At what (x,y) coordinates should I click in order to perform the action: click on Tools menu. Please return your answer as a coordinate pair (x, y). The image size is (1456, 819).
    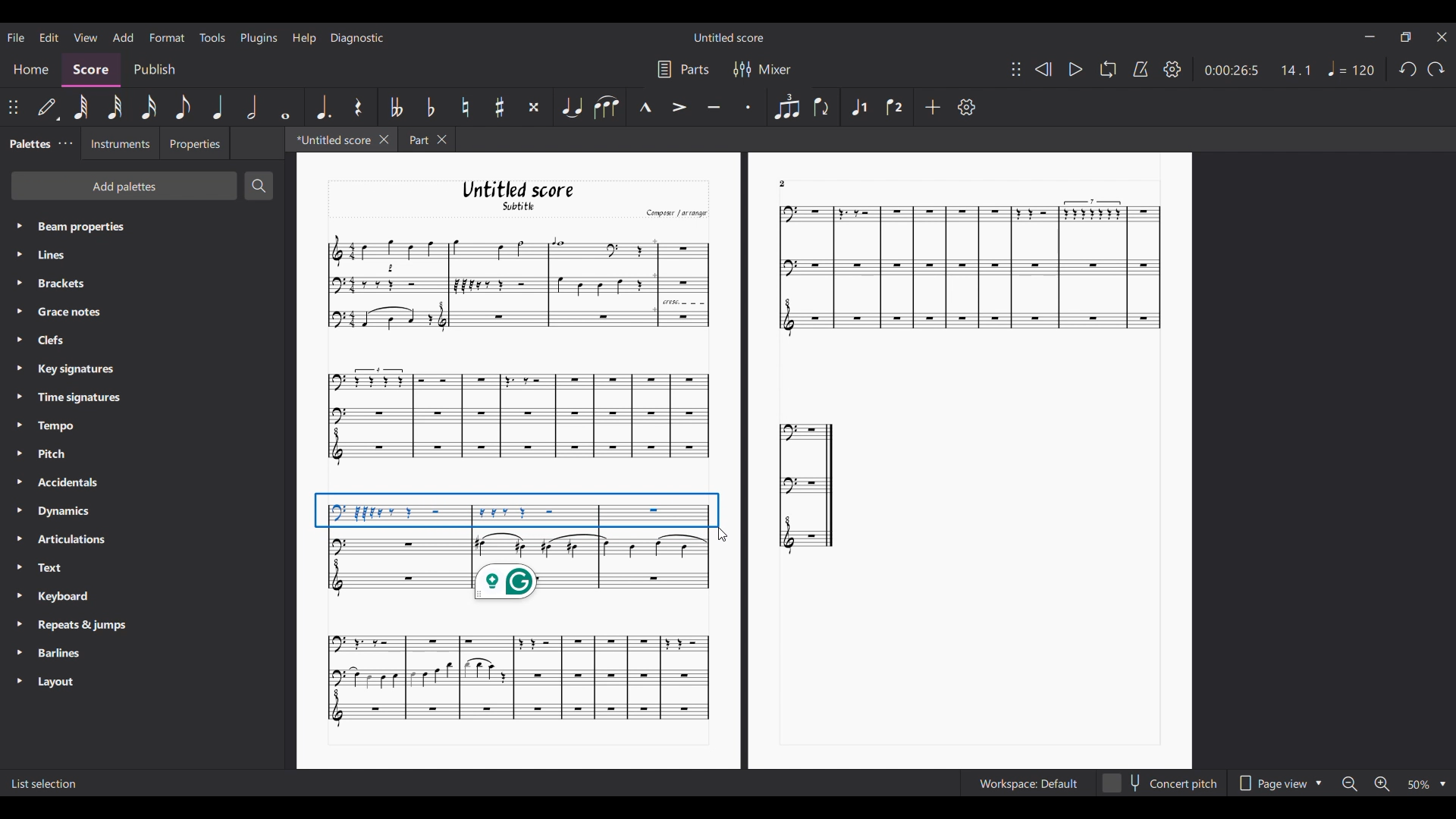
    Looking at the image, I should click on (212, 37).